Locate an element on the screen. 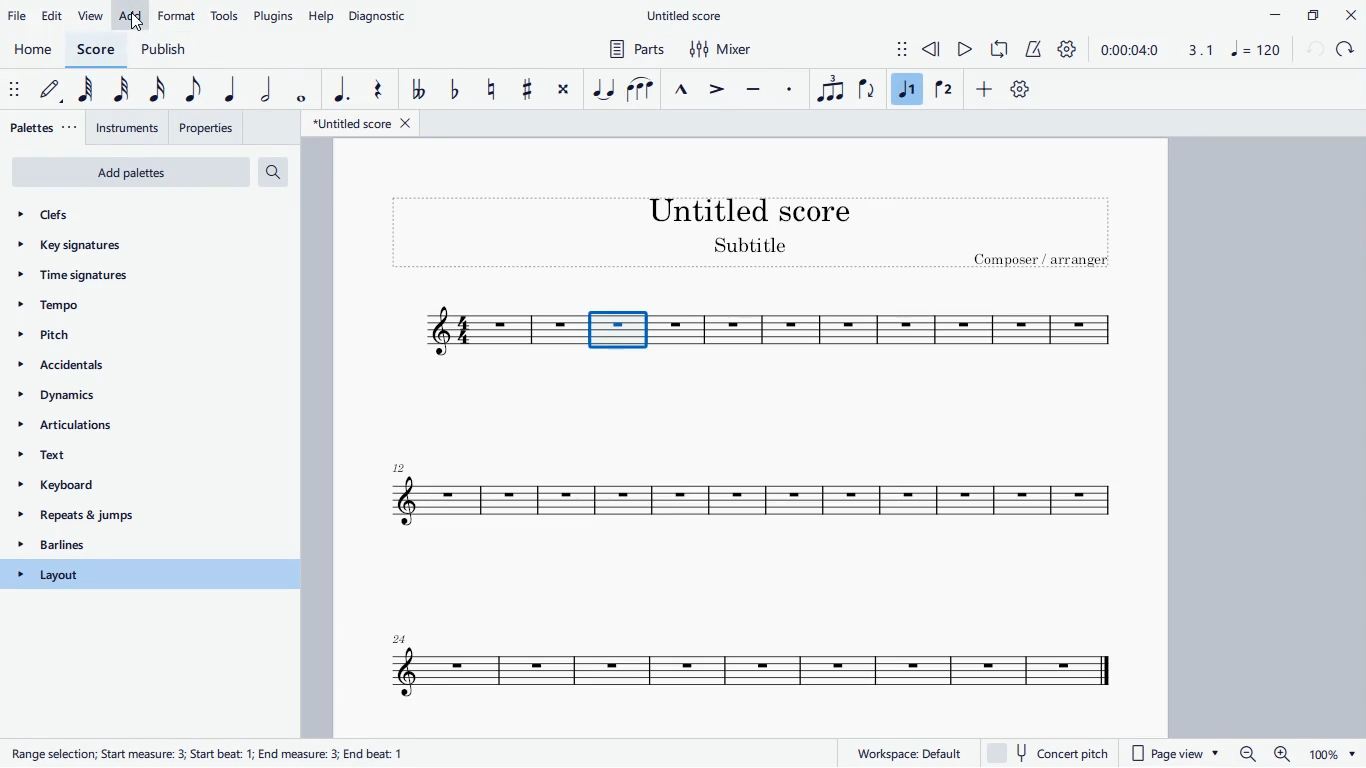 This screenshot has width=1366, height=768. metronome is located at coordinates (1035, 50).